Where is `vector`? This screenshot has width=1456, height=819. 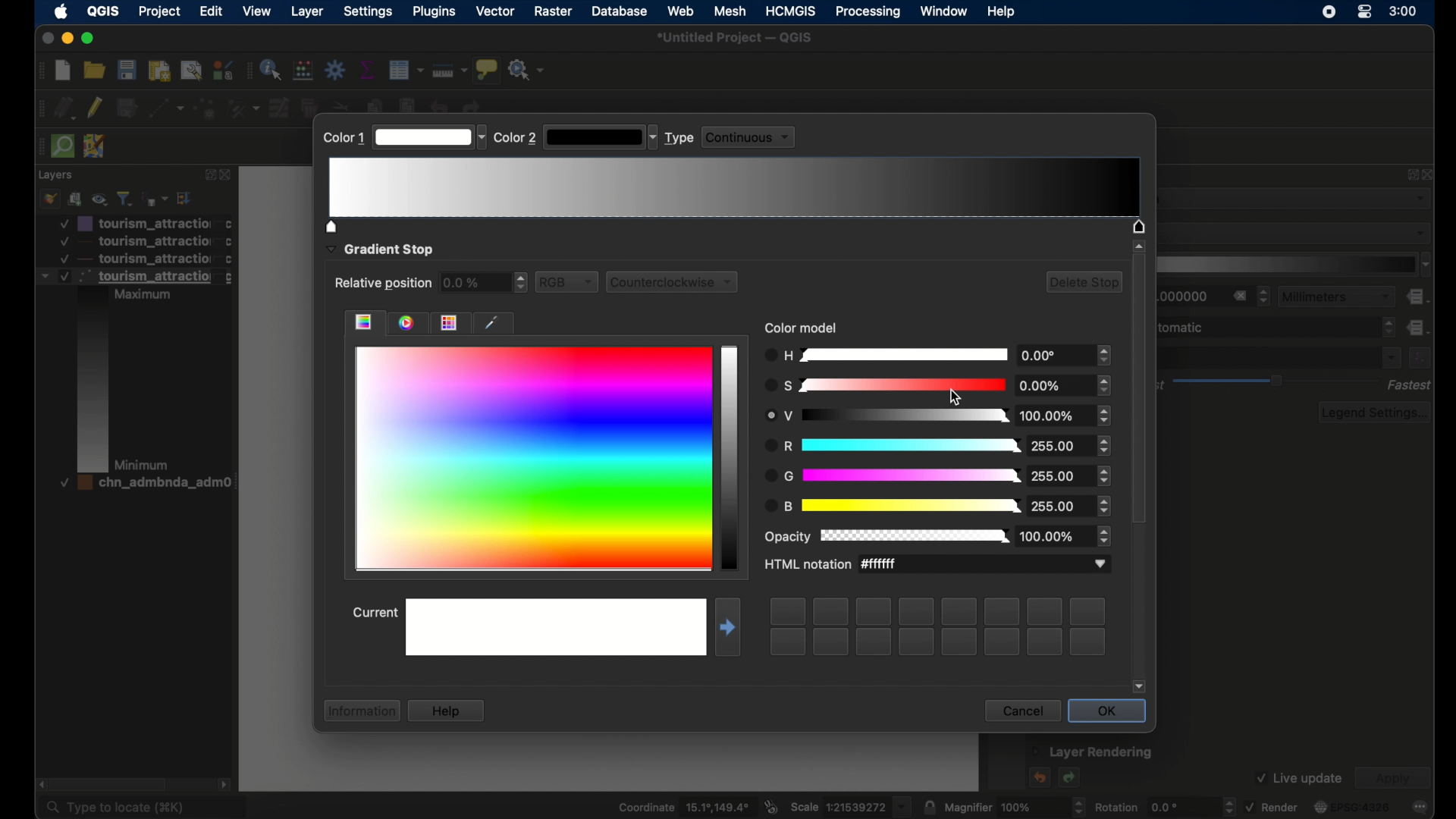
vector is located at coordinates (496, 11).